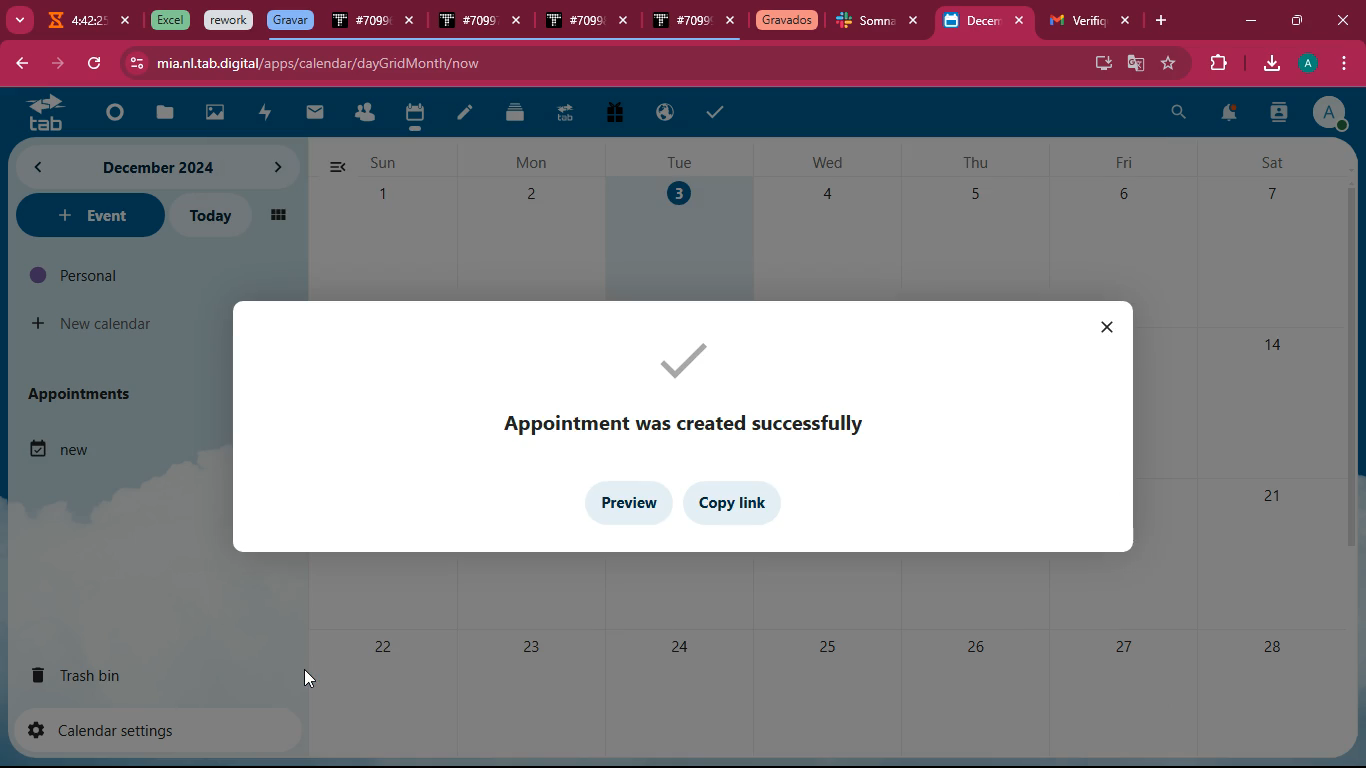 Image resolution: width=1366 pixels, height=768 pixels. Describe the element at coordinates (1100, 61) in the screenshot. I see `desktop` at that location.